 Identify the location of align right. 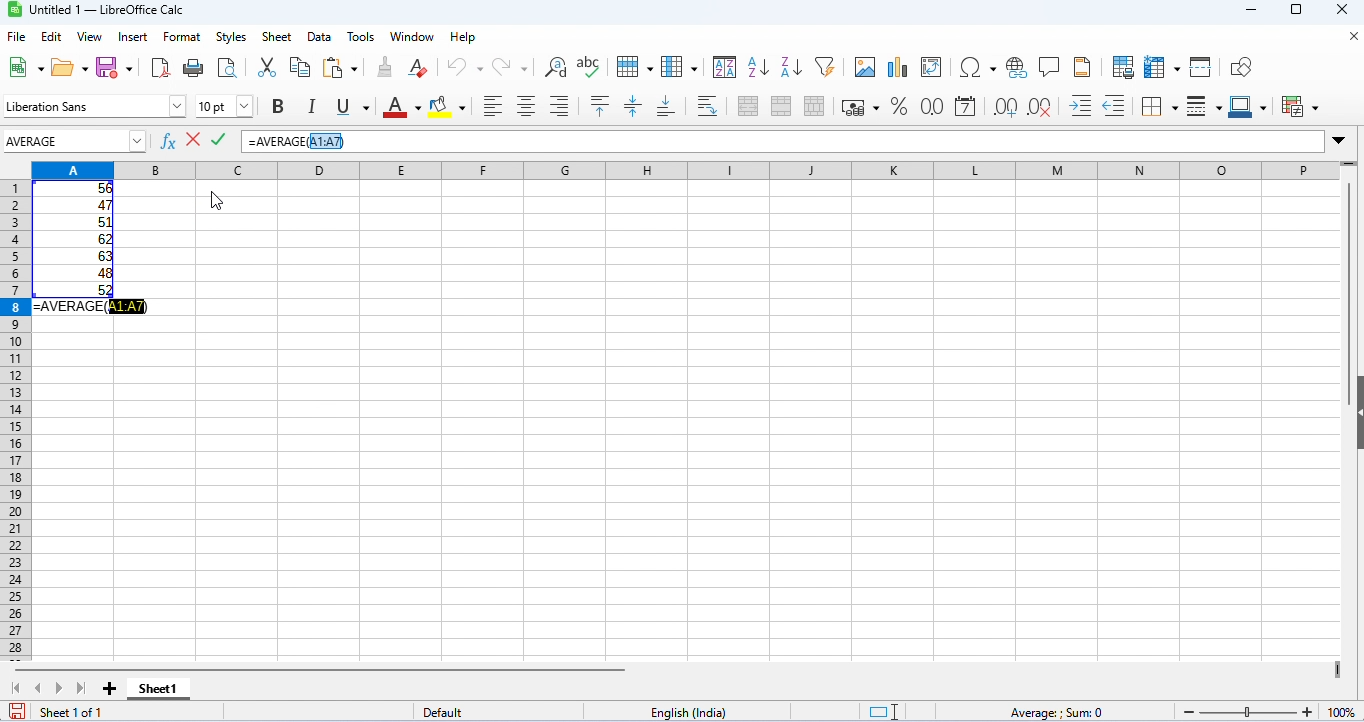
(559, 106).